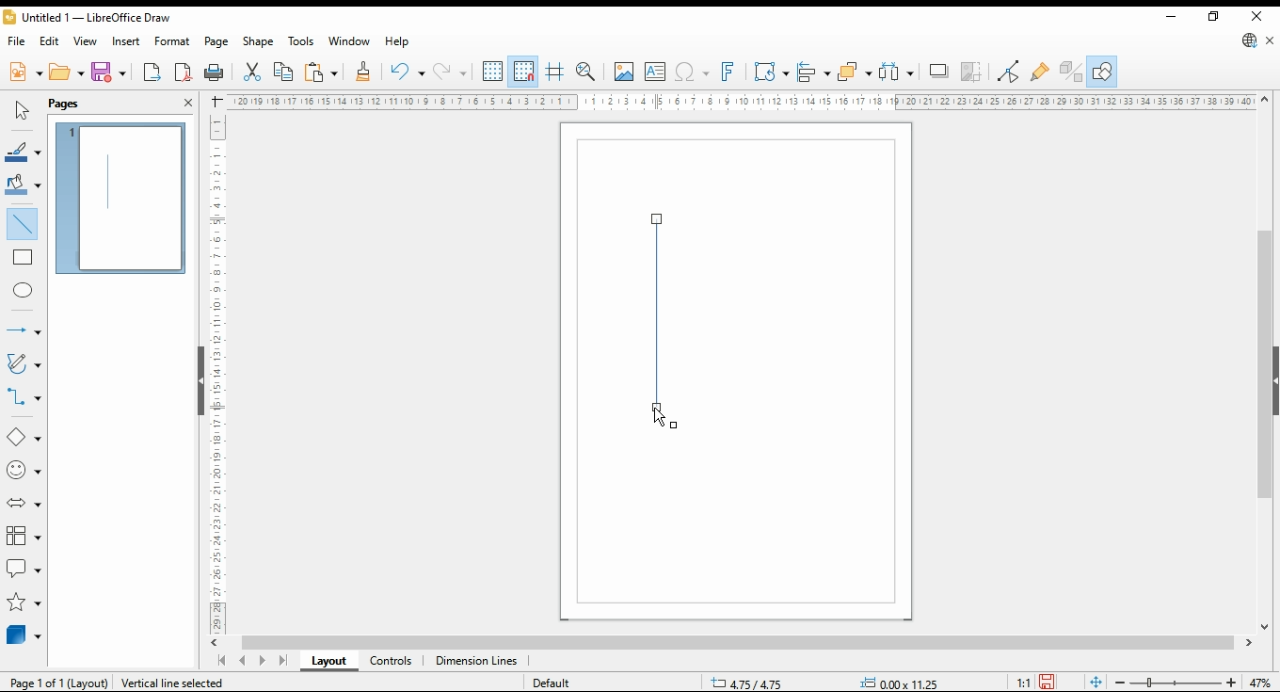 The width and height of the screenshot is (1280, 692). What do you see at coordinates (1096, 682) in the screenshot?
I see `fit page to current window` at bounding box center [1096, 682].